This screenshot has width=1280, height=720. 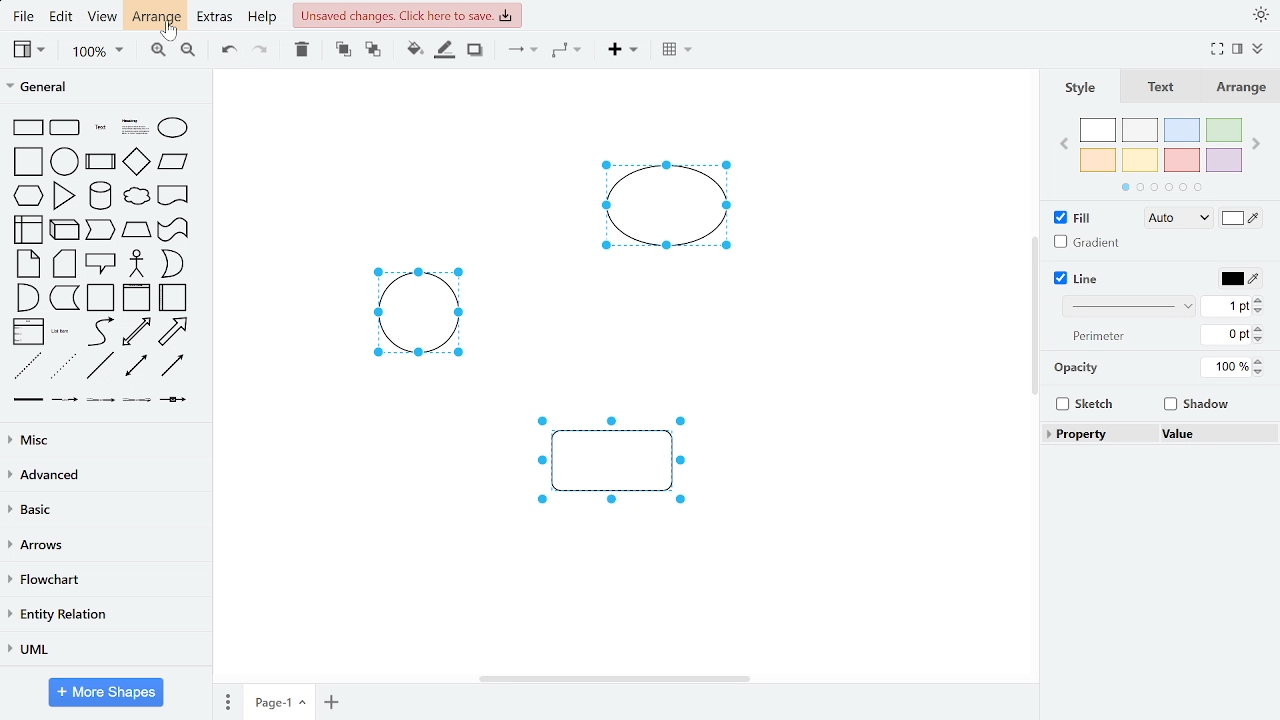 I want to click on step, so click(x=64, y=299).